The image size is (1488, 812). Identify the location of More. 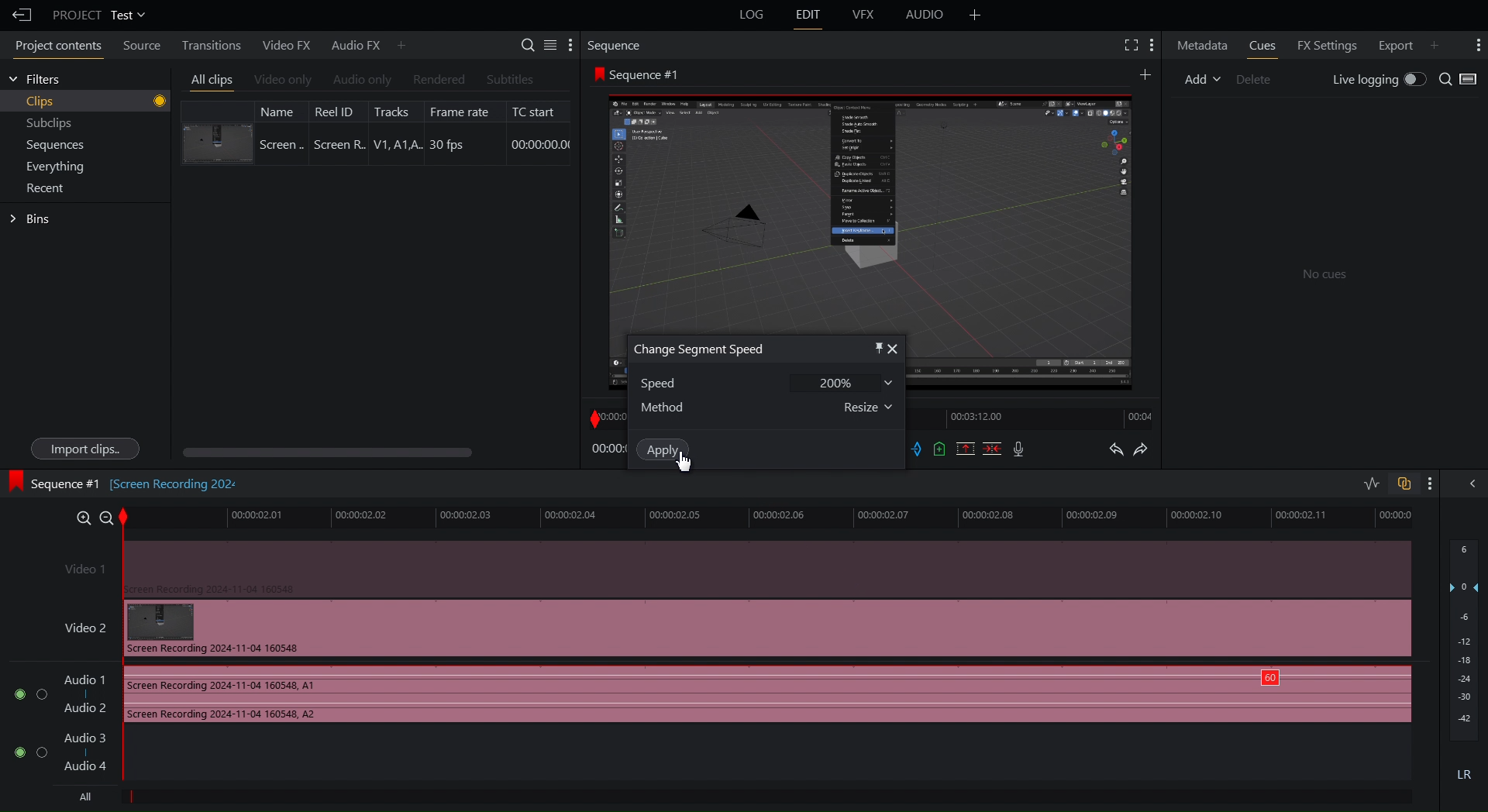
(975, 15).